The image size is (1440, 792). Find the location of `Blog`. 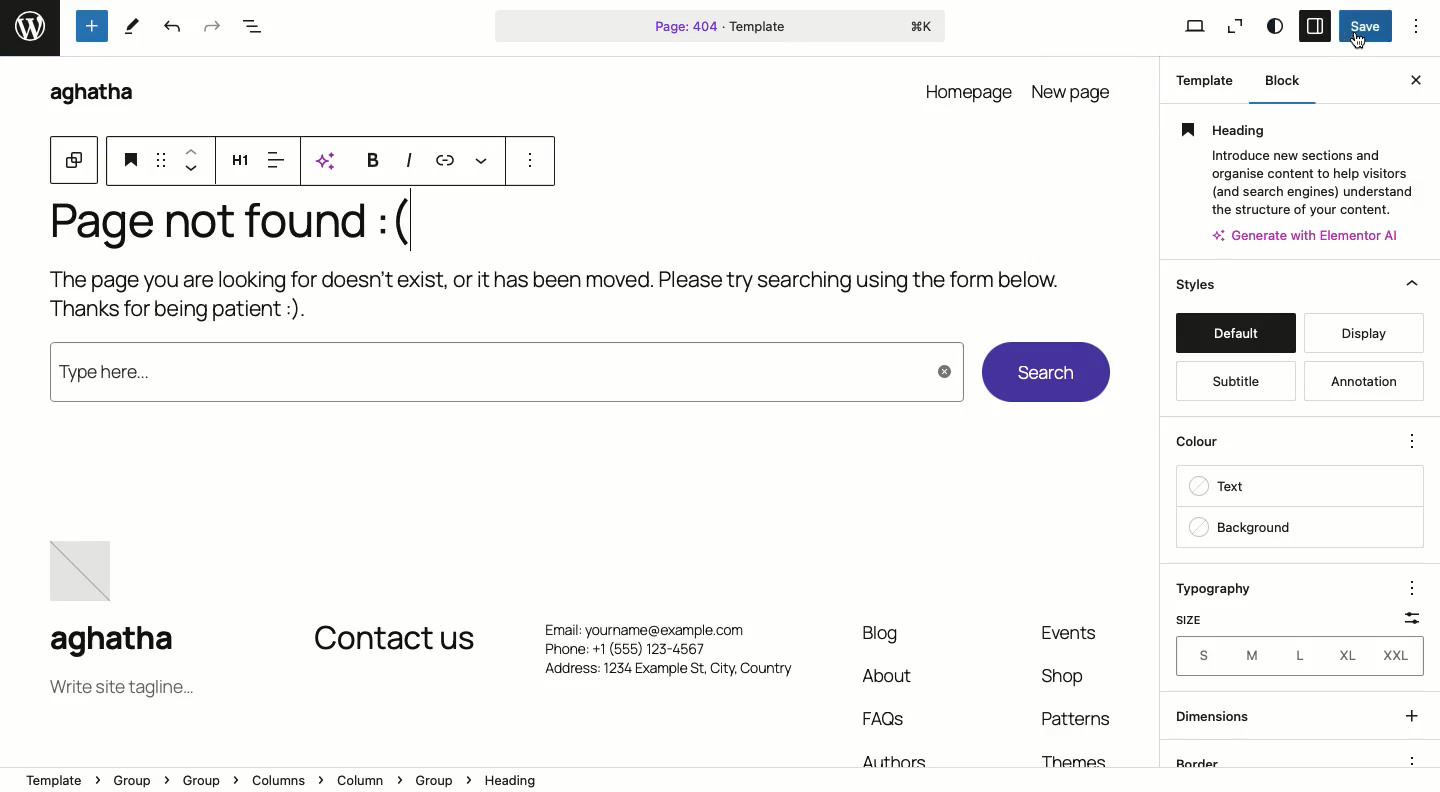

Blog is located at coordinates (882, 634).